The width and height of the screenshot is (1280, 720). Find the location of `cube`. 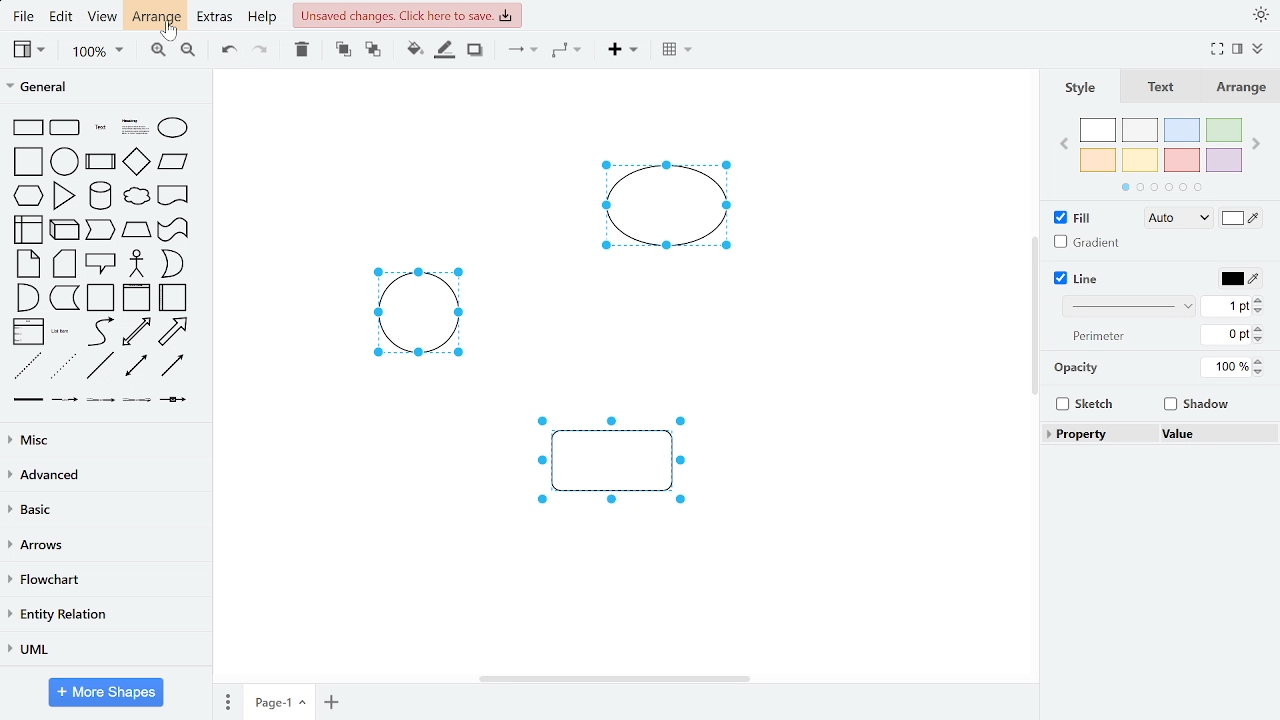

cube is located at coordinates (66, 229).